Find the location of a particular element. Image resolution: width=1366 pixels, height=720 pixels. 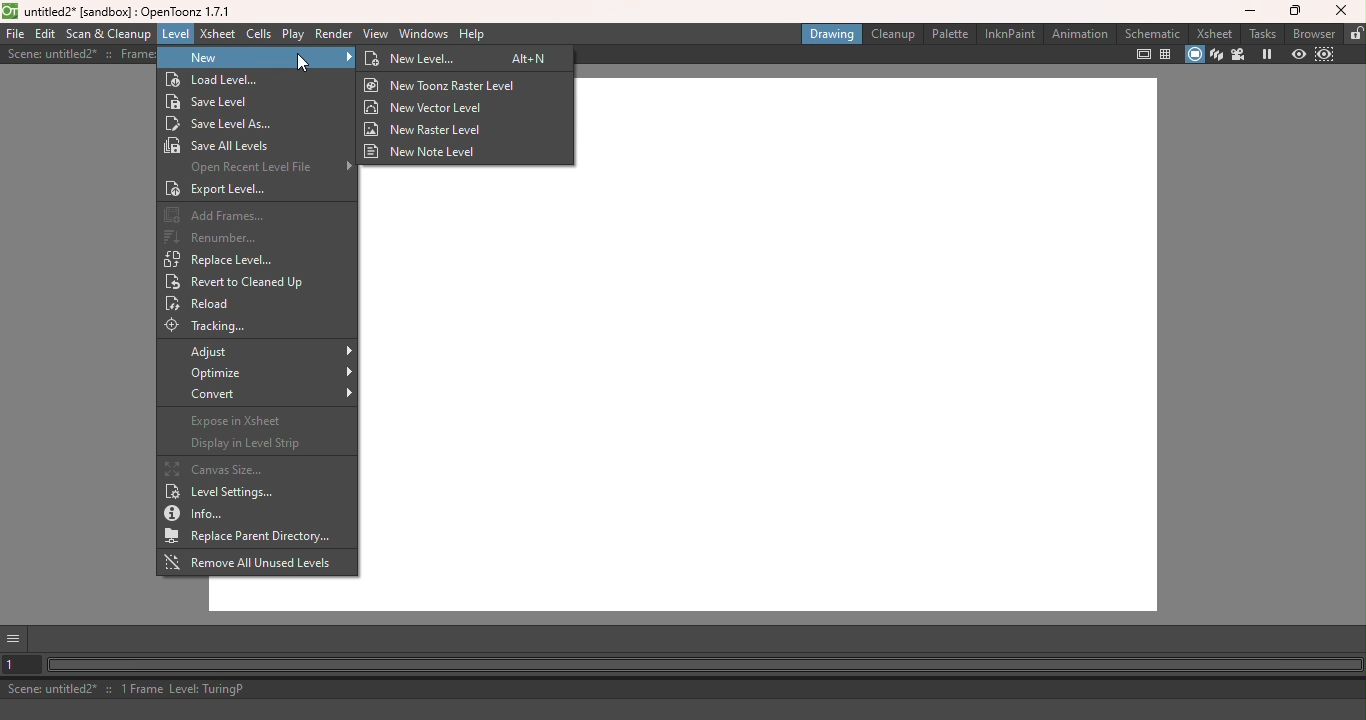

Freeze is located at coordinates (1262, 54).